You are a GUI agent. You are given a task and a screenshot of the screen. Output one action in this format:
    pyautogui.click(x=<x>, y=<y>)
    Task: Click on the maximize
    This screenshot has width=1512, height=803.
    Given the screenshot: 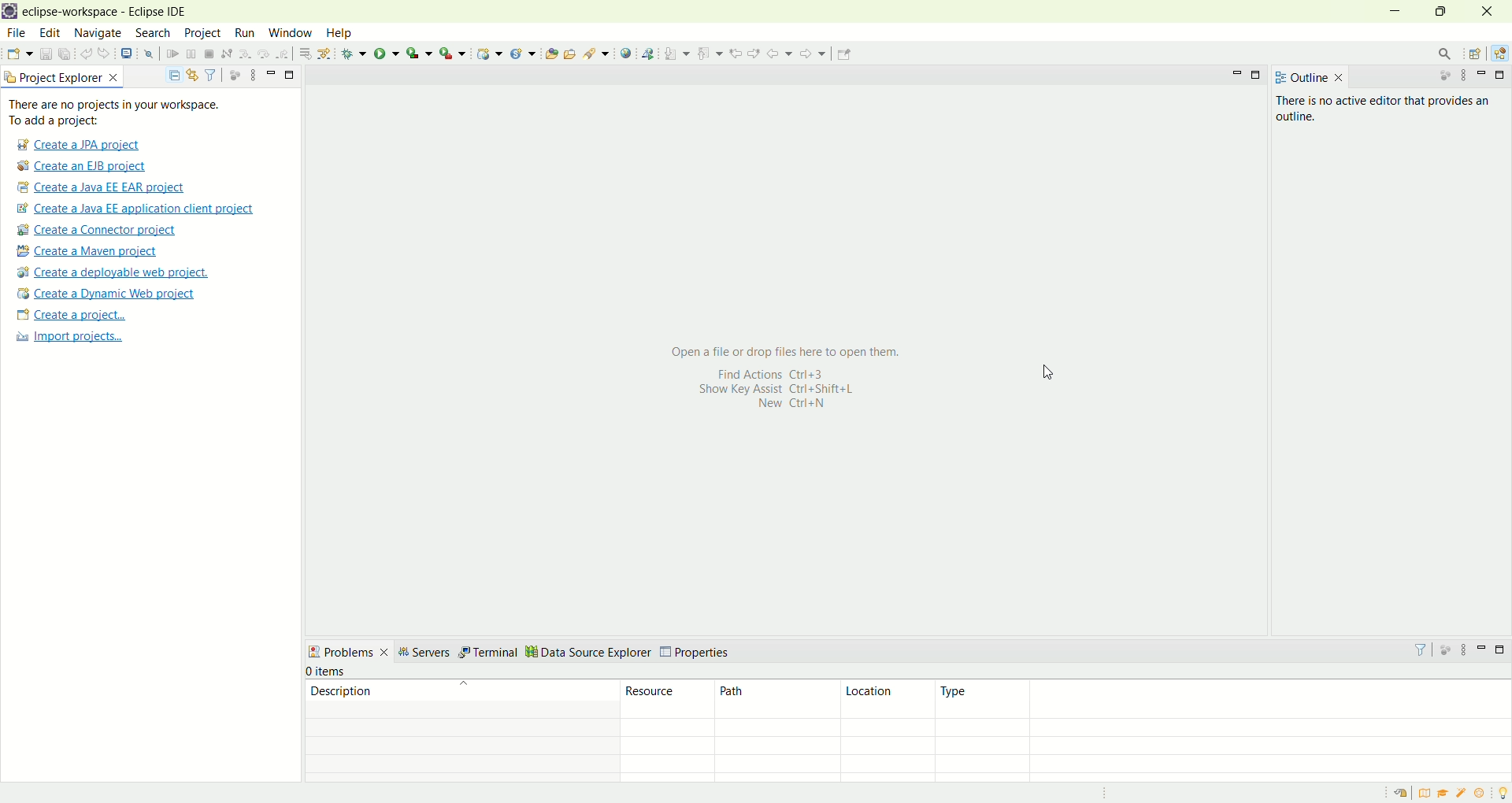 What is the action you would take?
    pyautogui.click(x=291, y=75)
    